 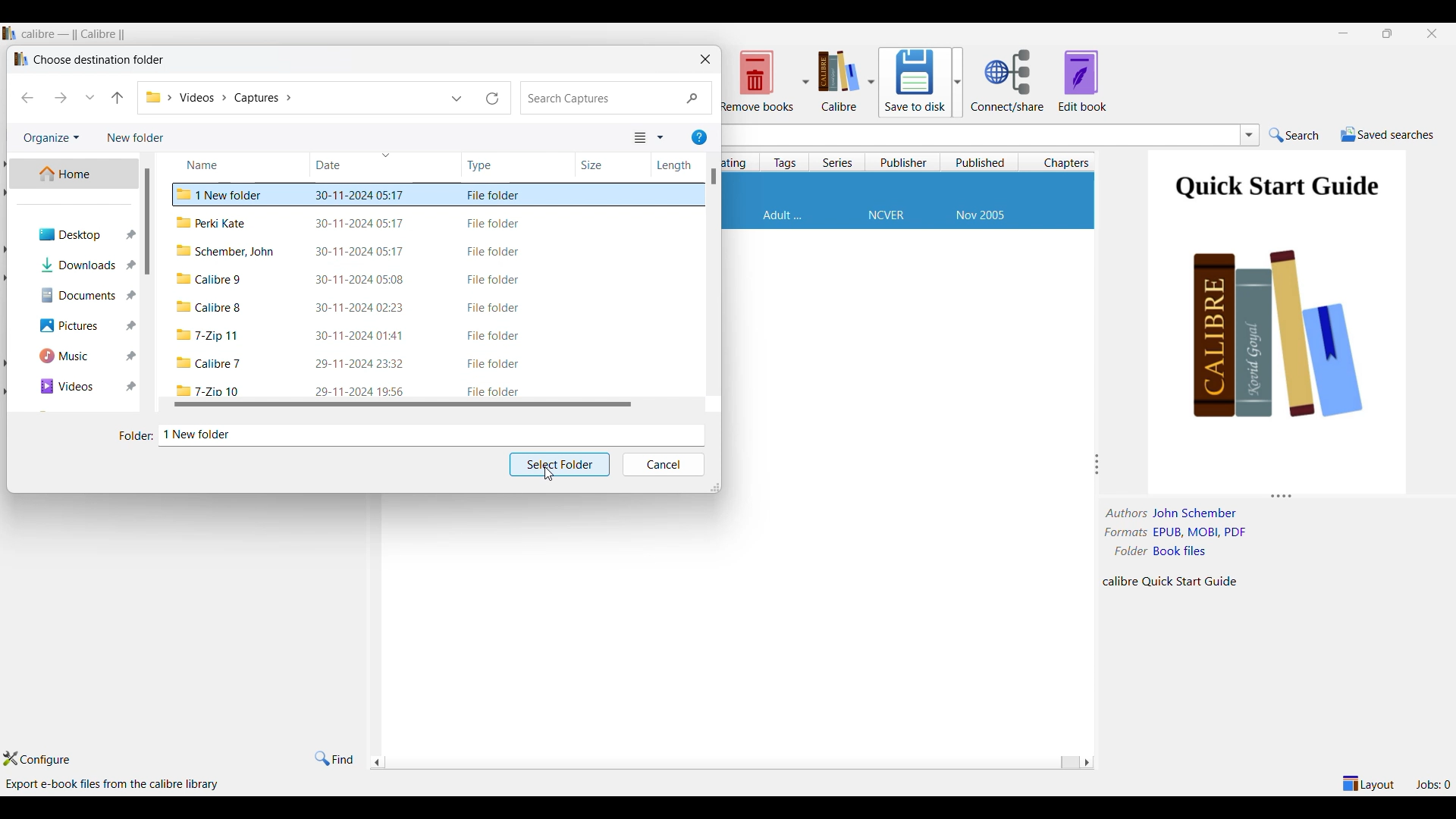 What do you see at coordinates (334, 759) in the screenshot?
I see `Find` at bounding box center [334, 759].